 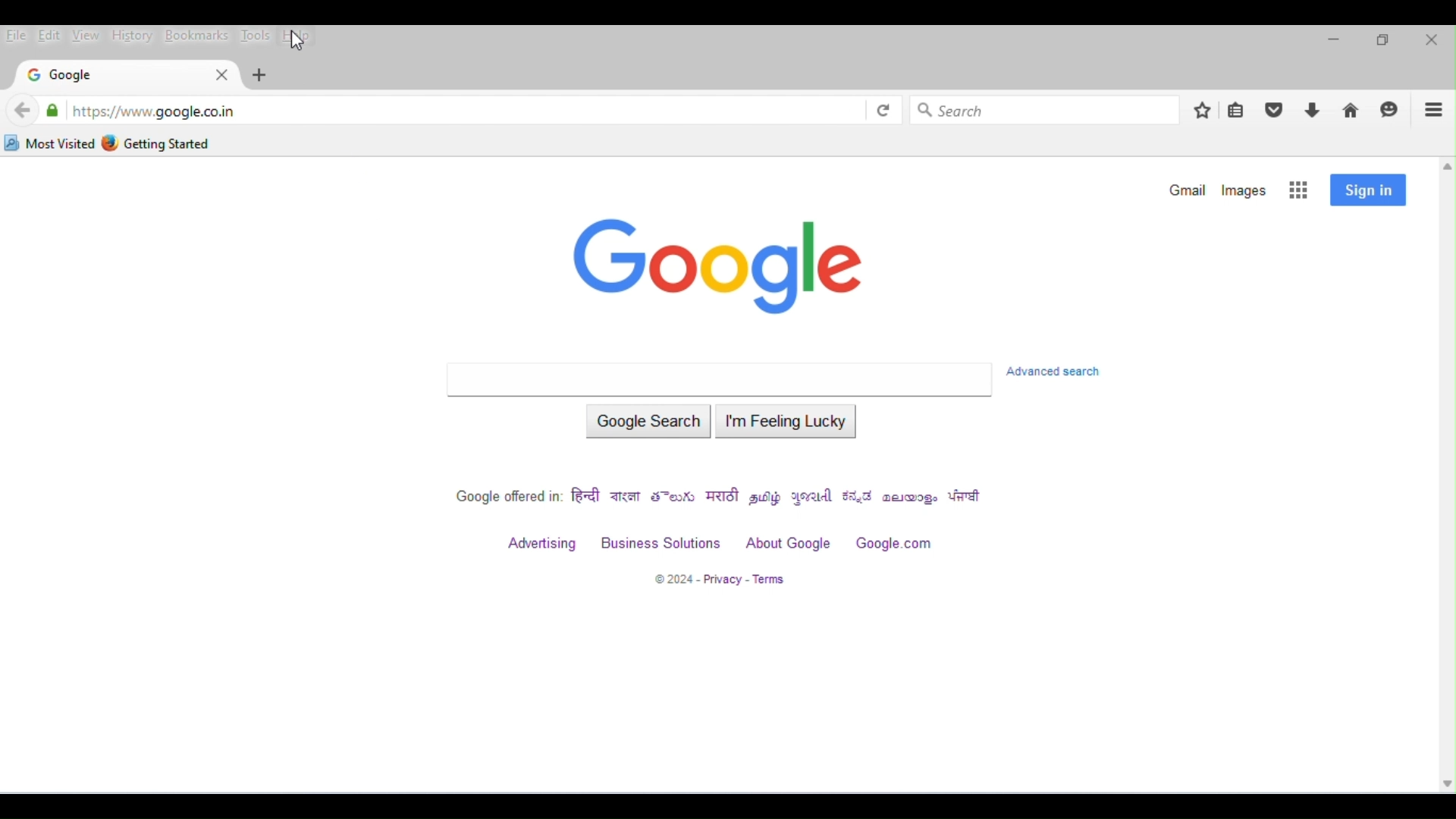 What do you see at coordinates (814, 497) in the screenshot?
I see `gujrati` at bounding box center [814, 497].